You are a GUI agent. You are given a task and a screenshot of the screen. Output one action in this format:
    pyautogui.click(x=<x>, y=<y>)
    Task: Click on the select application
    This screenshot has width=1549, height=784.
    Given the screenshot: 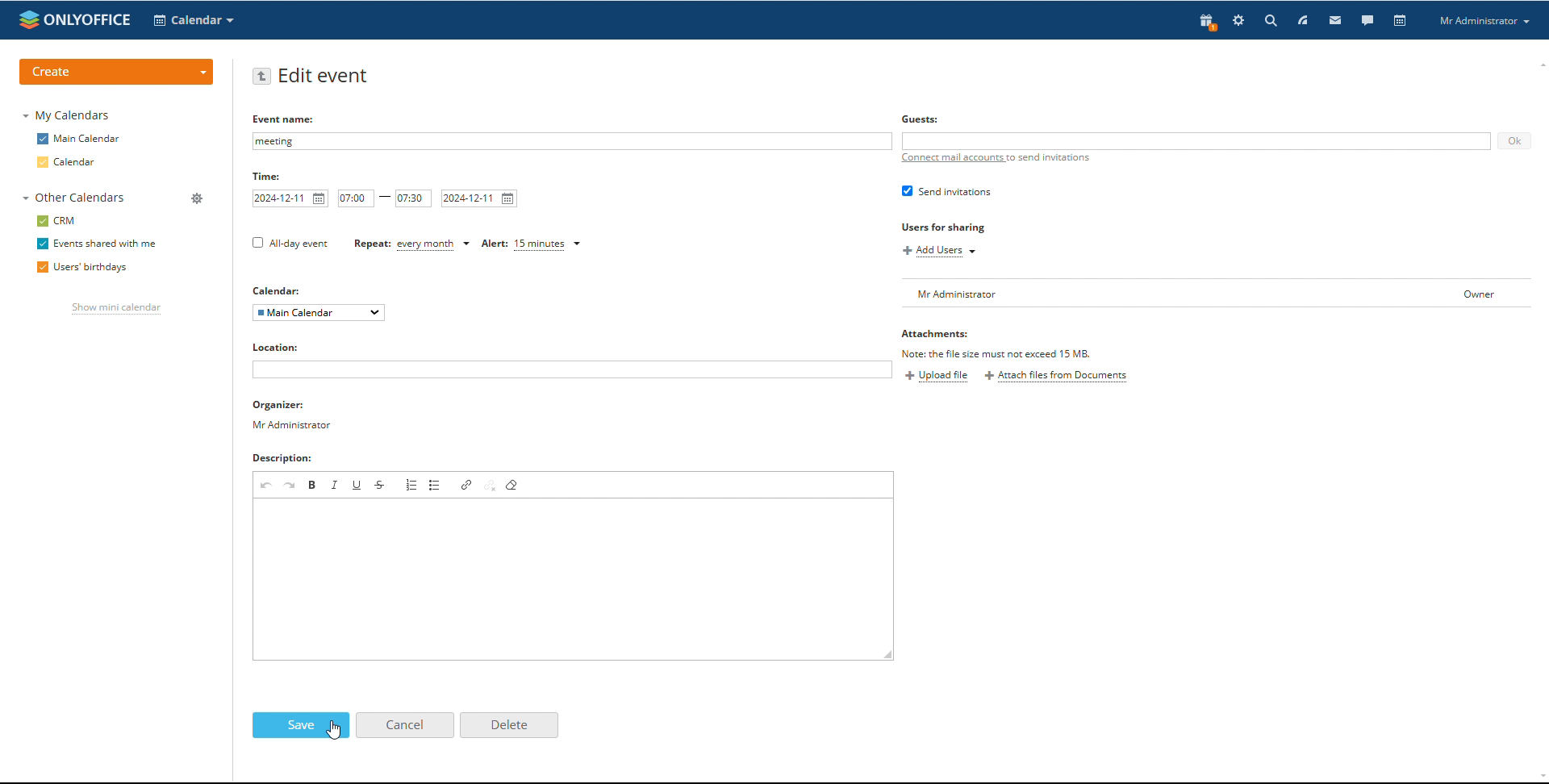 What is the action you would take?
    pyautogui.click(x=194, y=21)
    